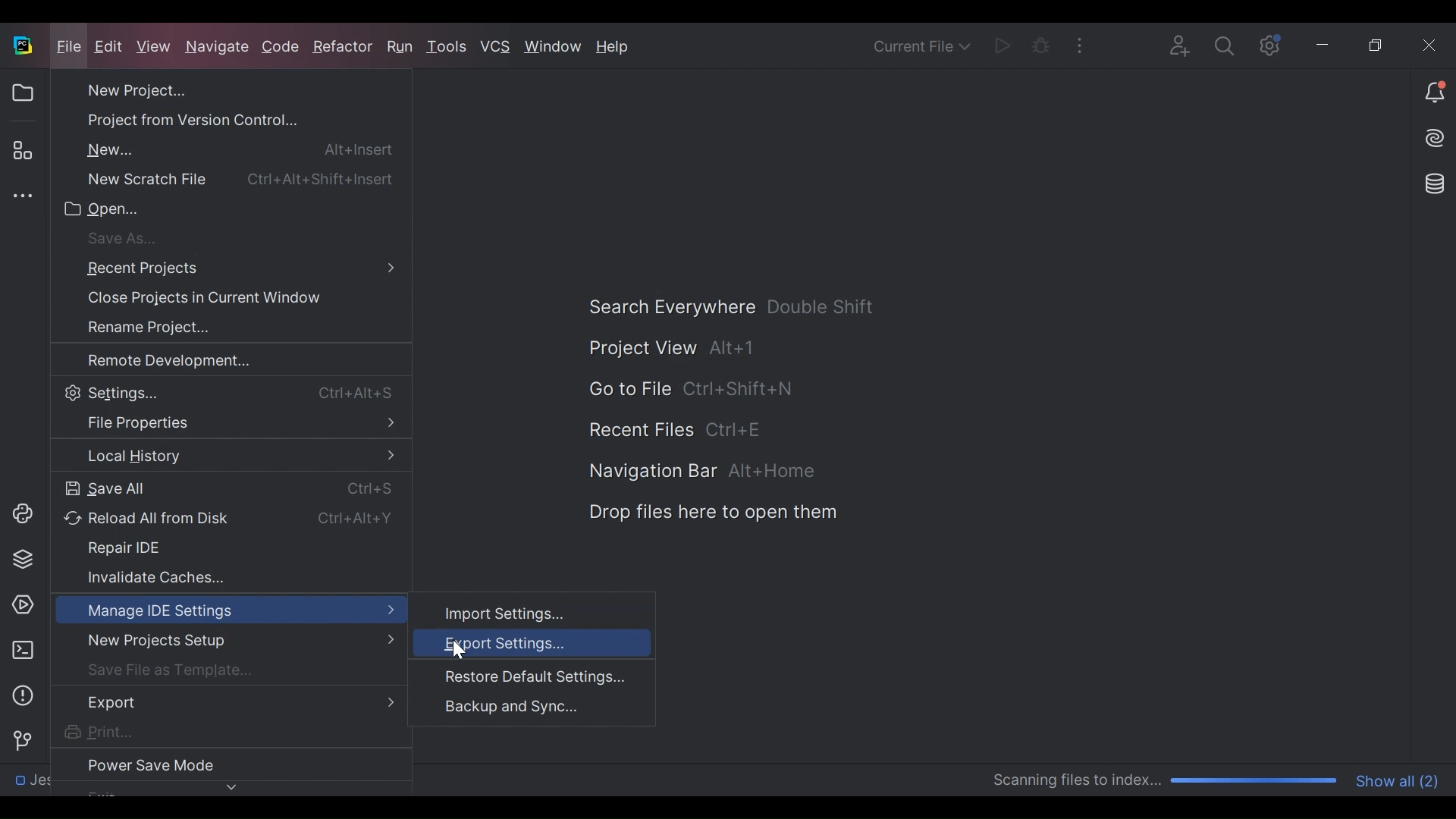  Describe the element at coordinates (206, 328) in the screenshot. I see `Rename Project` at that location.